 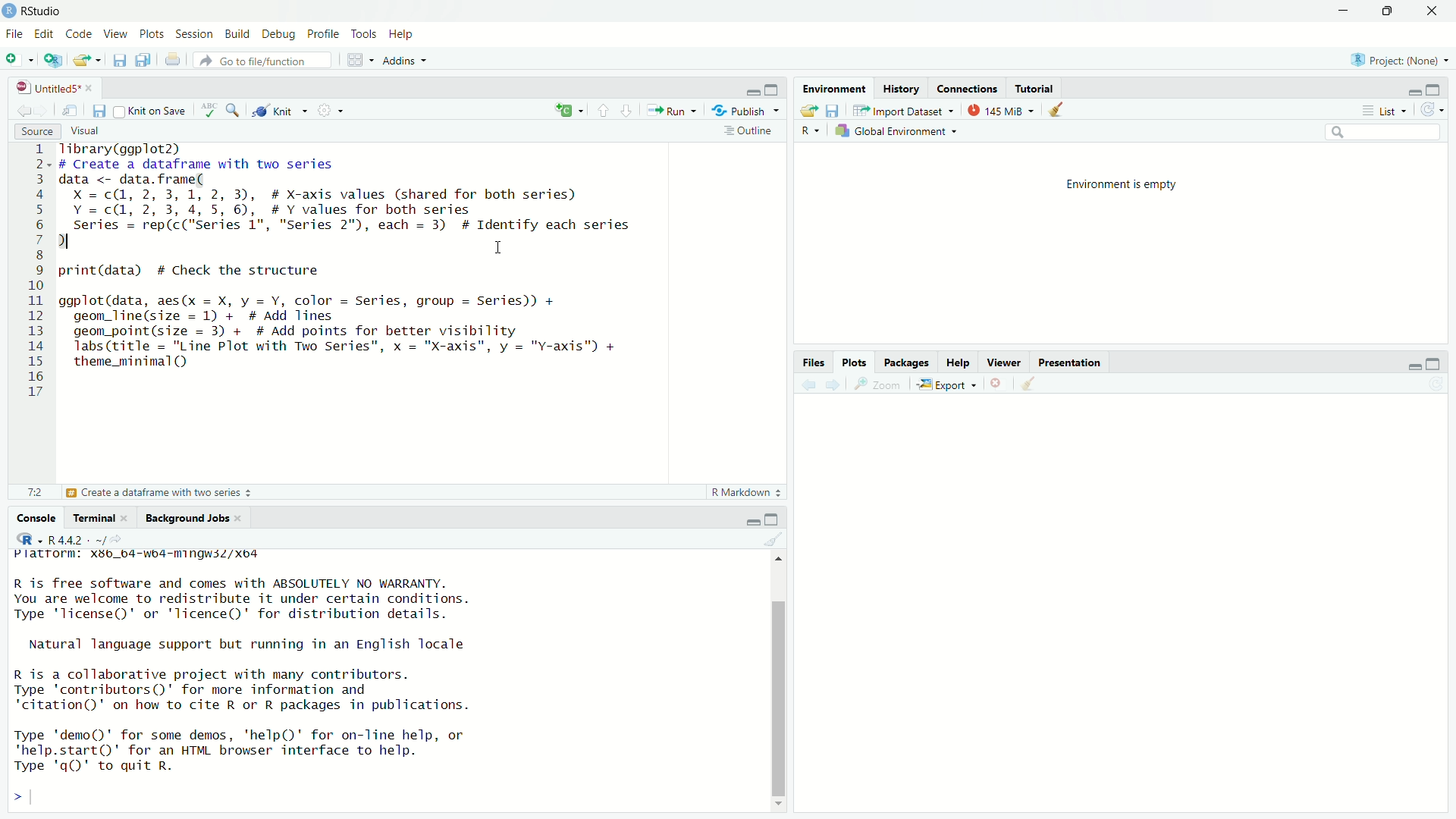 I want to click on Clear object from the workspace, so click(x=773, y=539).